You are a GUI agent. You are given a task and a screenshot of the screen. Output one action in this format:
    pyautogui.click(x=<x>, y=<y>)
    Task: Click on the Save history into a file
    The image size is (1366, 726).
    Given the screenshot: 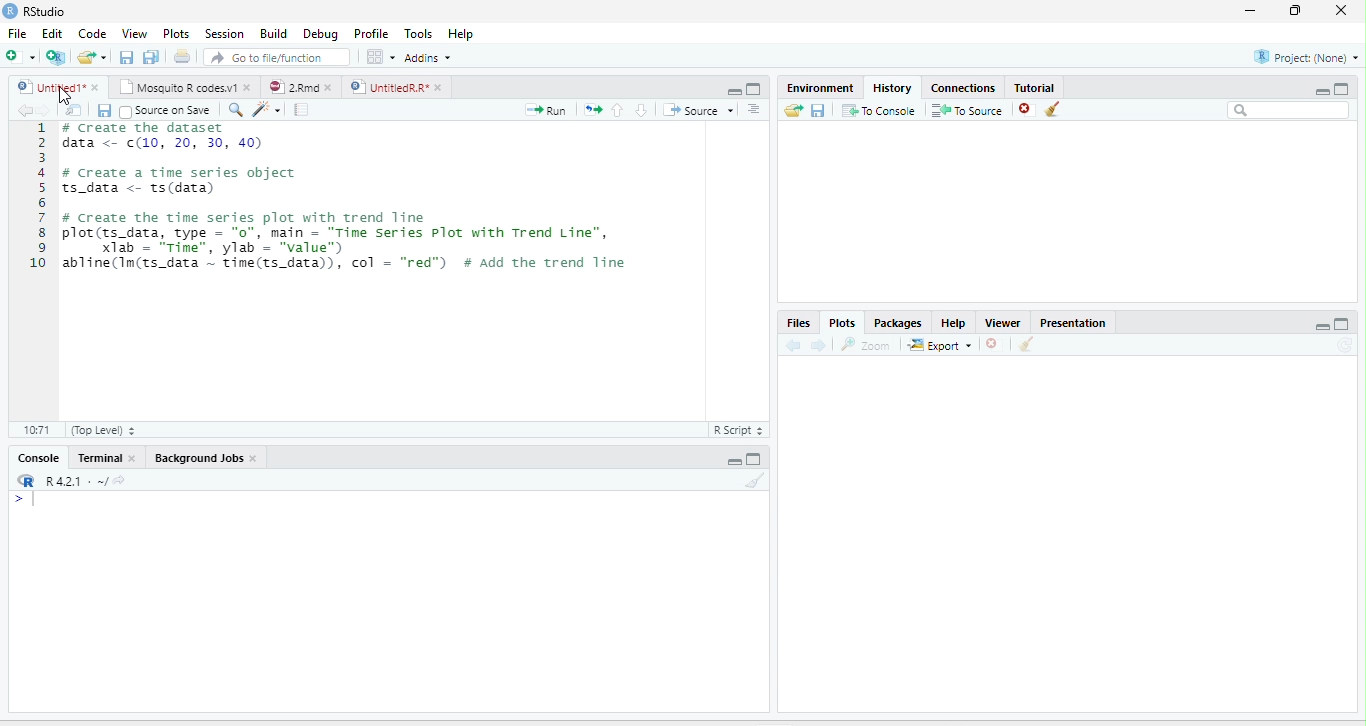 What is the action you would take?
    pyautogui.click(x=818, y=110)
    